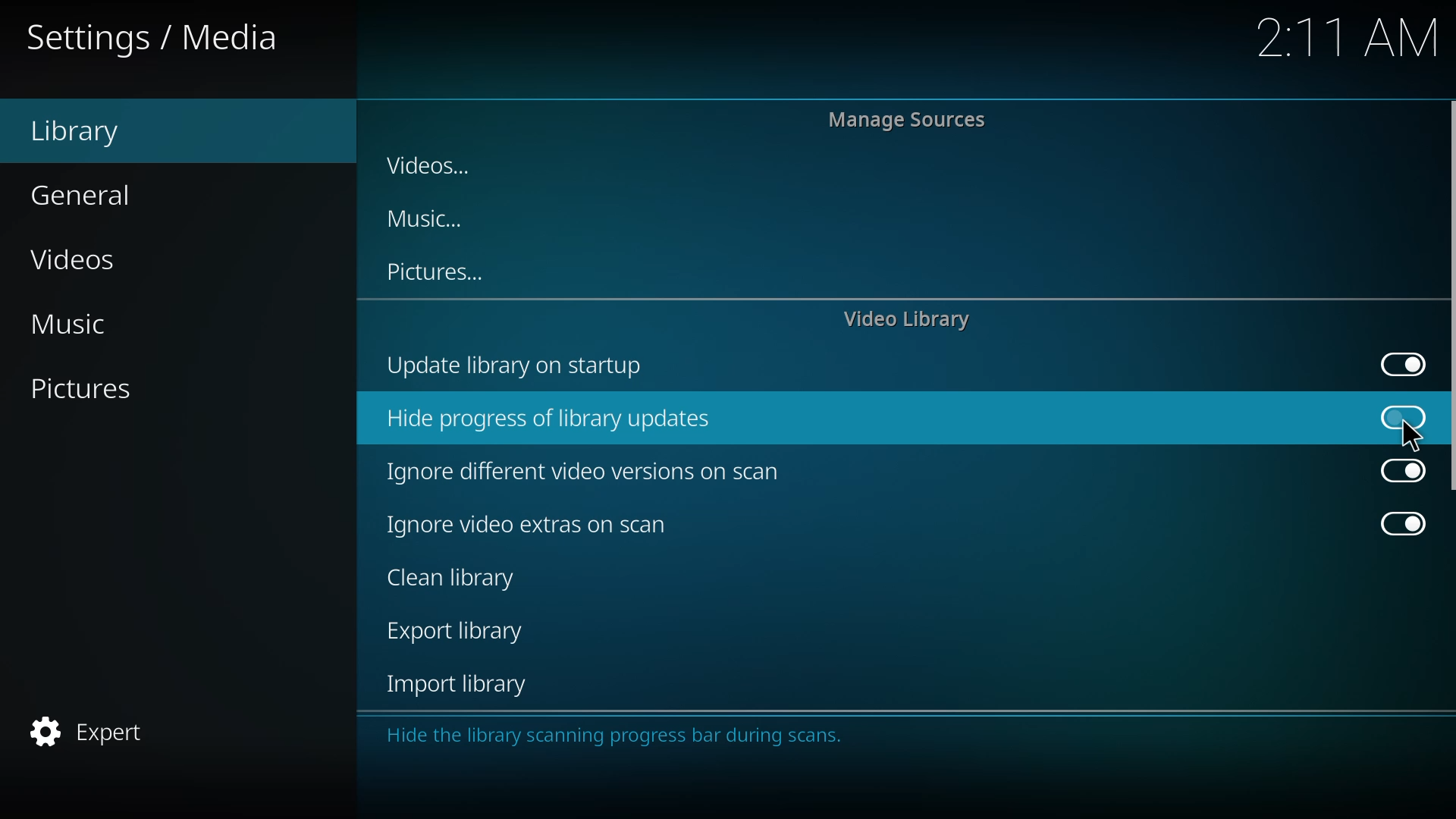 This screenshot has width=1456, height=819. Describe the element at coordinates (441, 272) in the screenshot. I see `pictures` at that location.